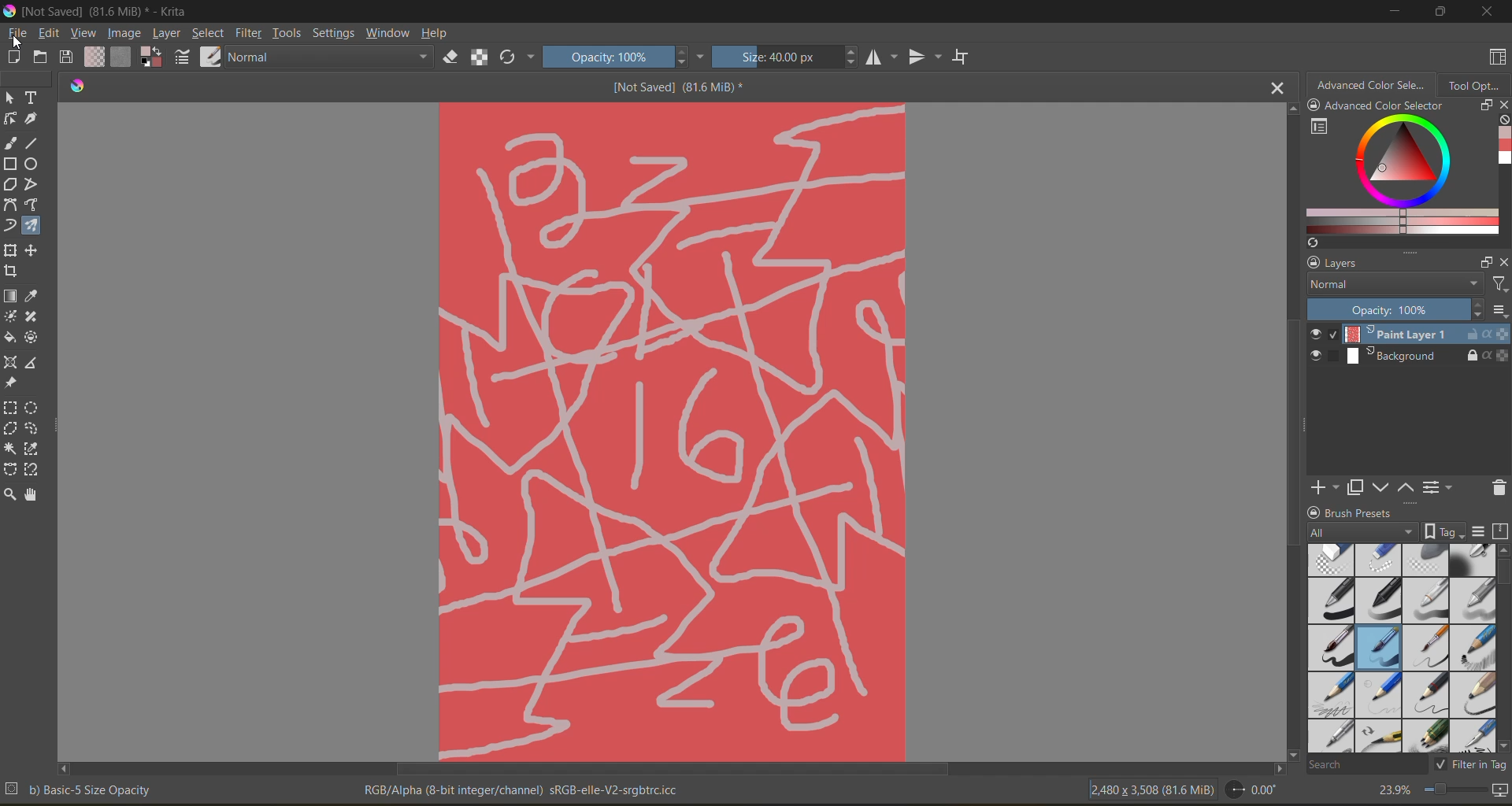 Image resolution: width=1512 pixels, height=806 pixels. I want to click on float docker, so click(1486, 263).